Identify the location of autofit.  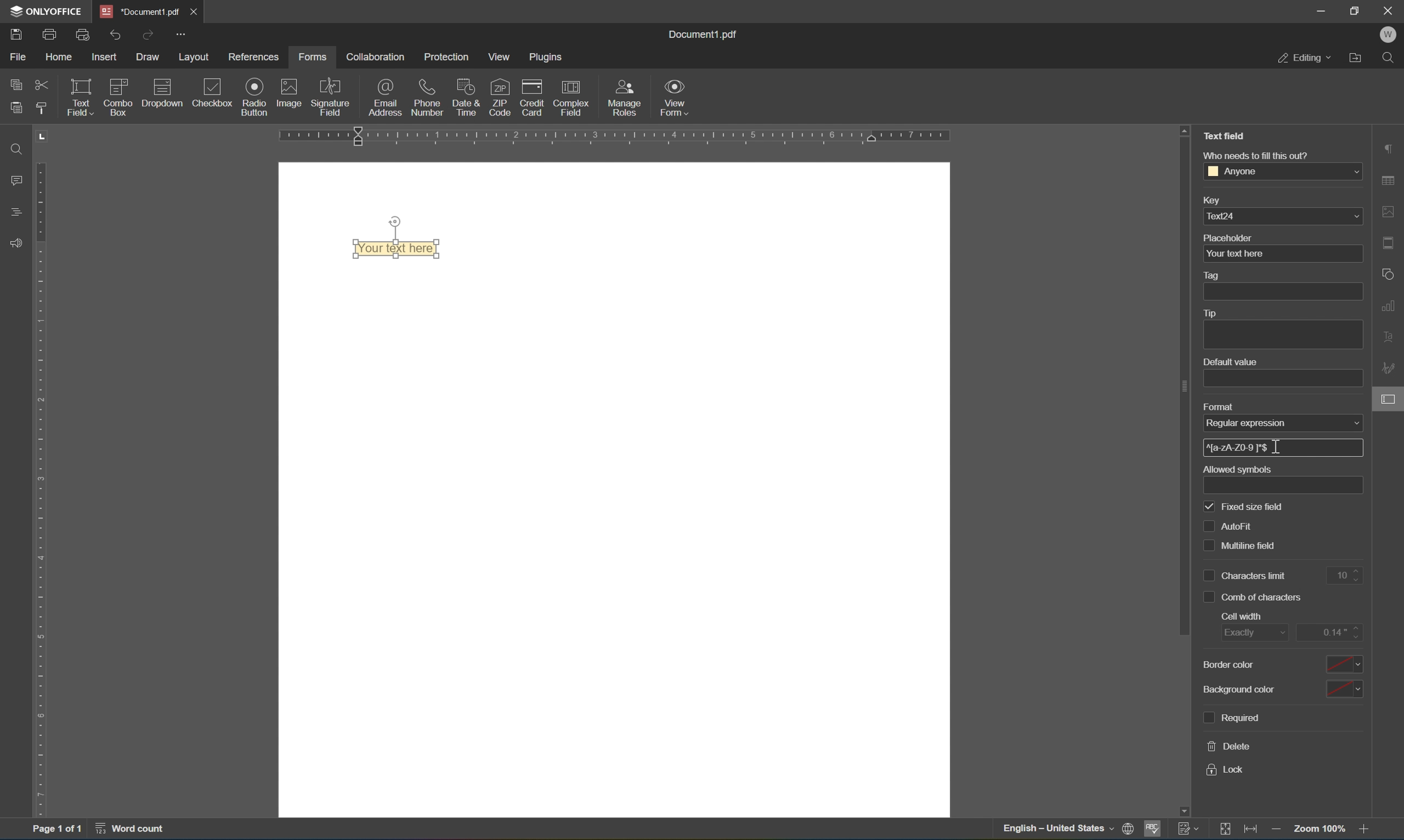
(1232, 526).